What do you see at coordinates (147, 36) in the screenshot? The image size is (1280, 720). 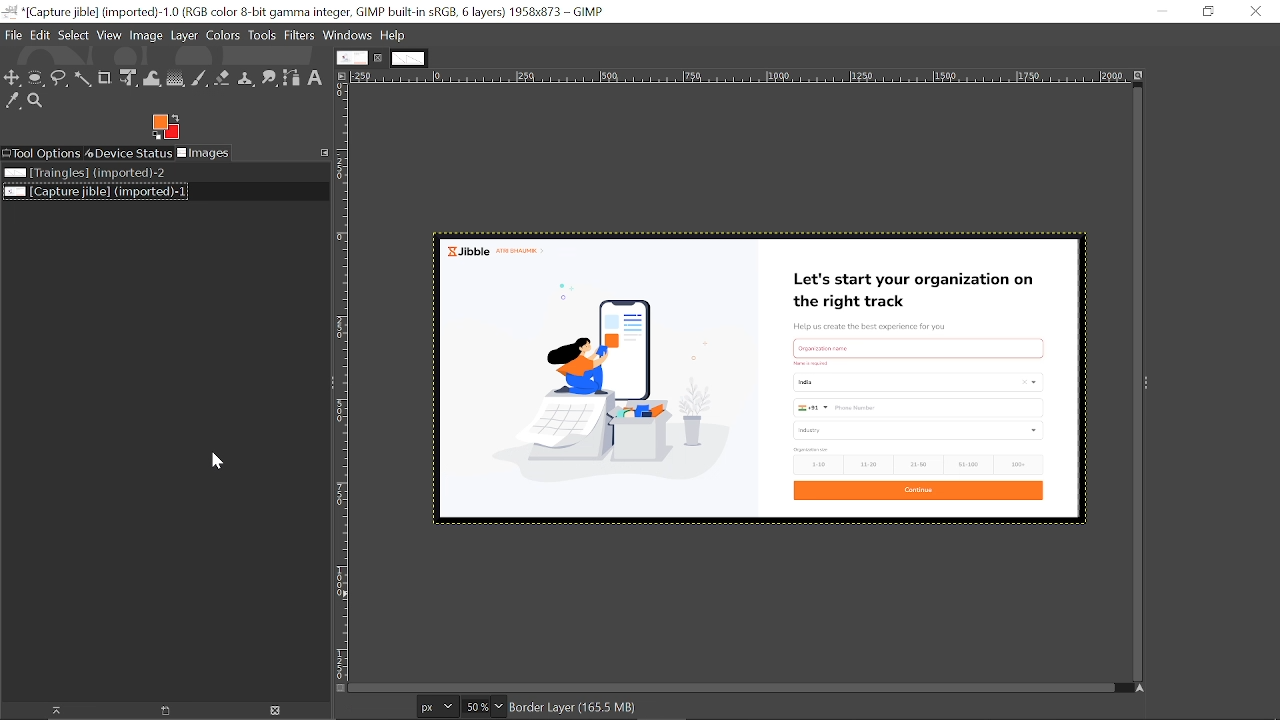 I see `Image` at bounding box center [147, 36].